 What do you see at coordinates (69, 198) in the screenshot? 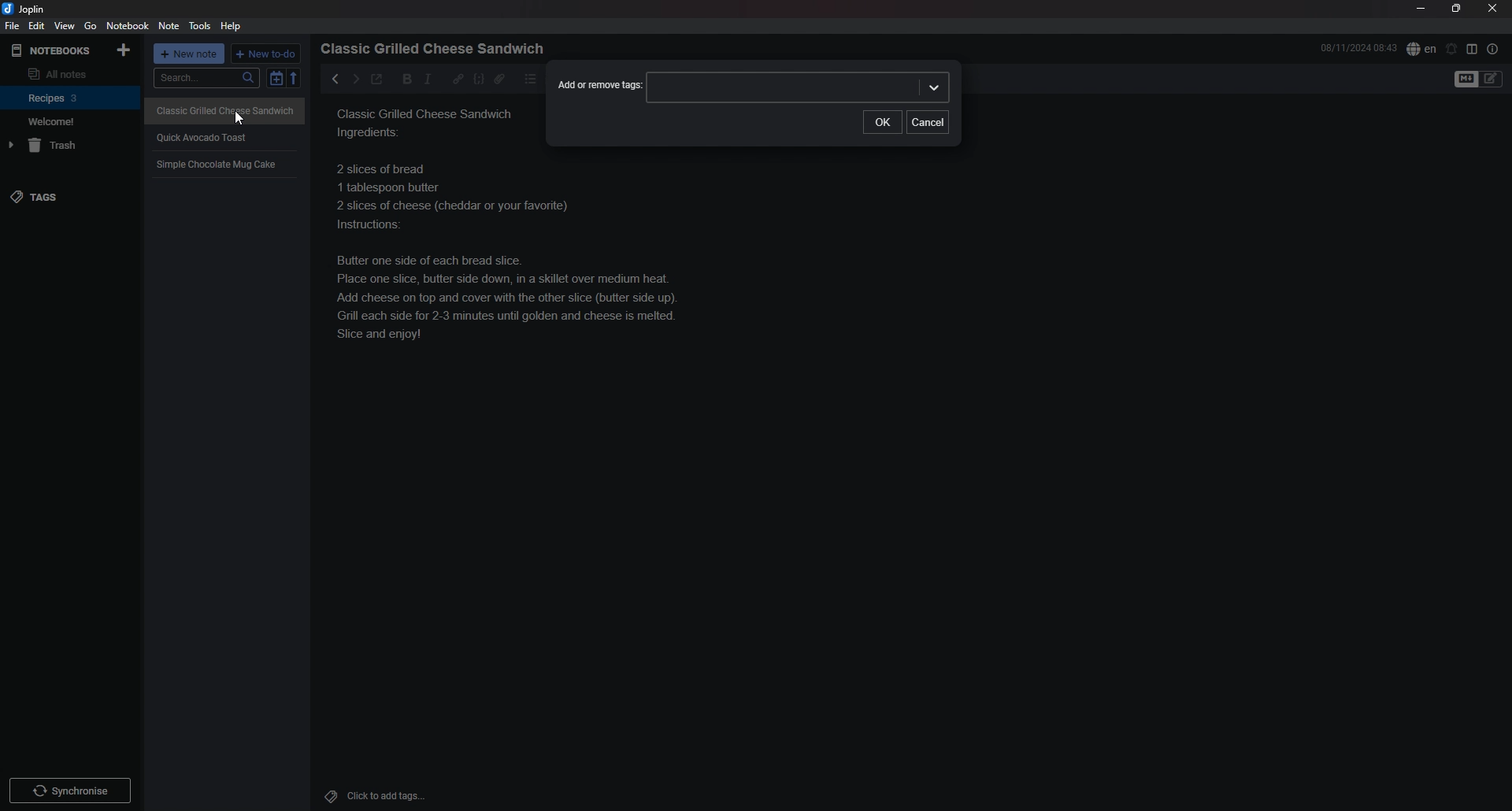
I see `tags` at bounding box center [69, 198].